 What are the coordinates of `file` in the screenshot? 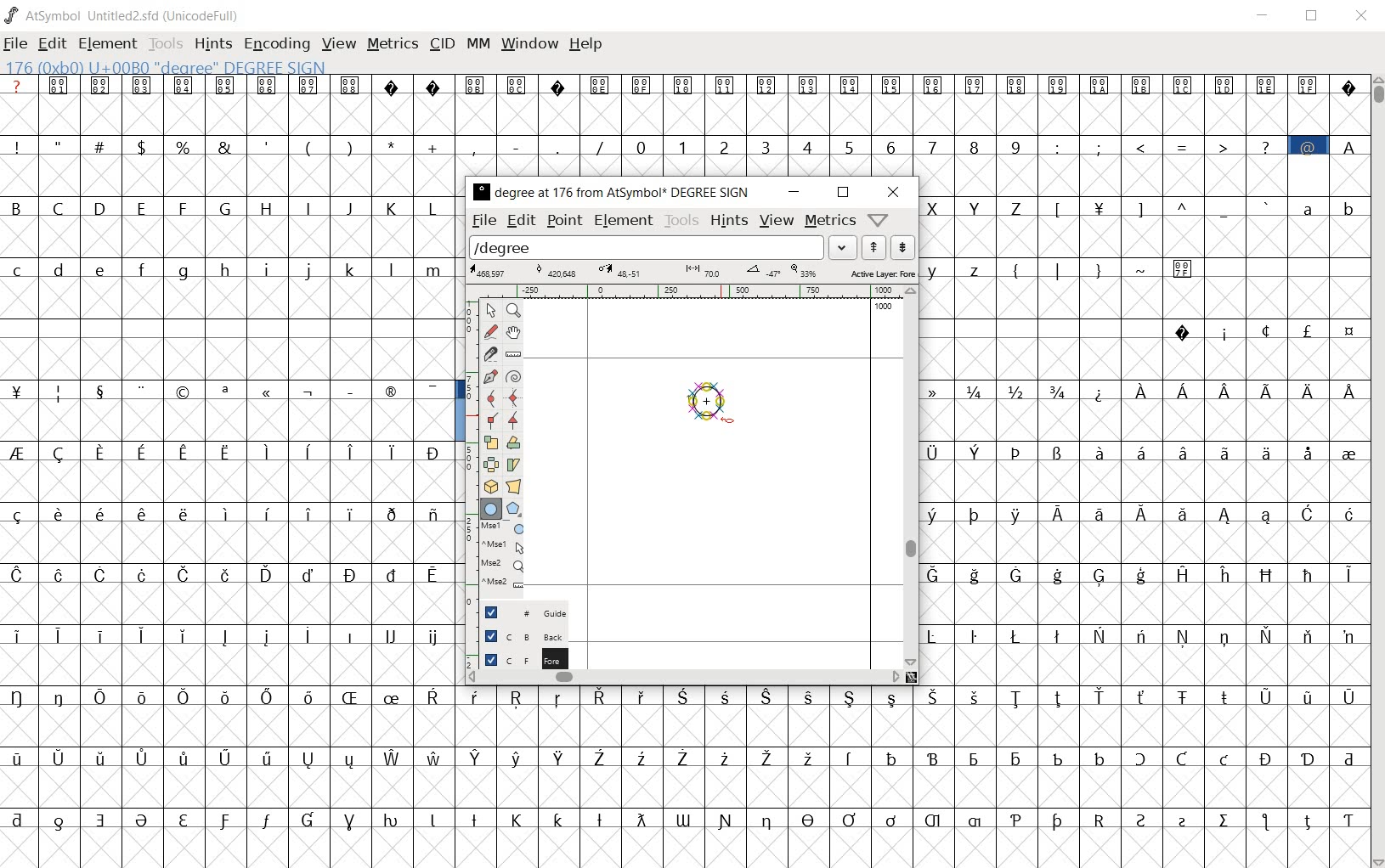 It's located at (15, 45).